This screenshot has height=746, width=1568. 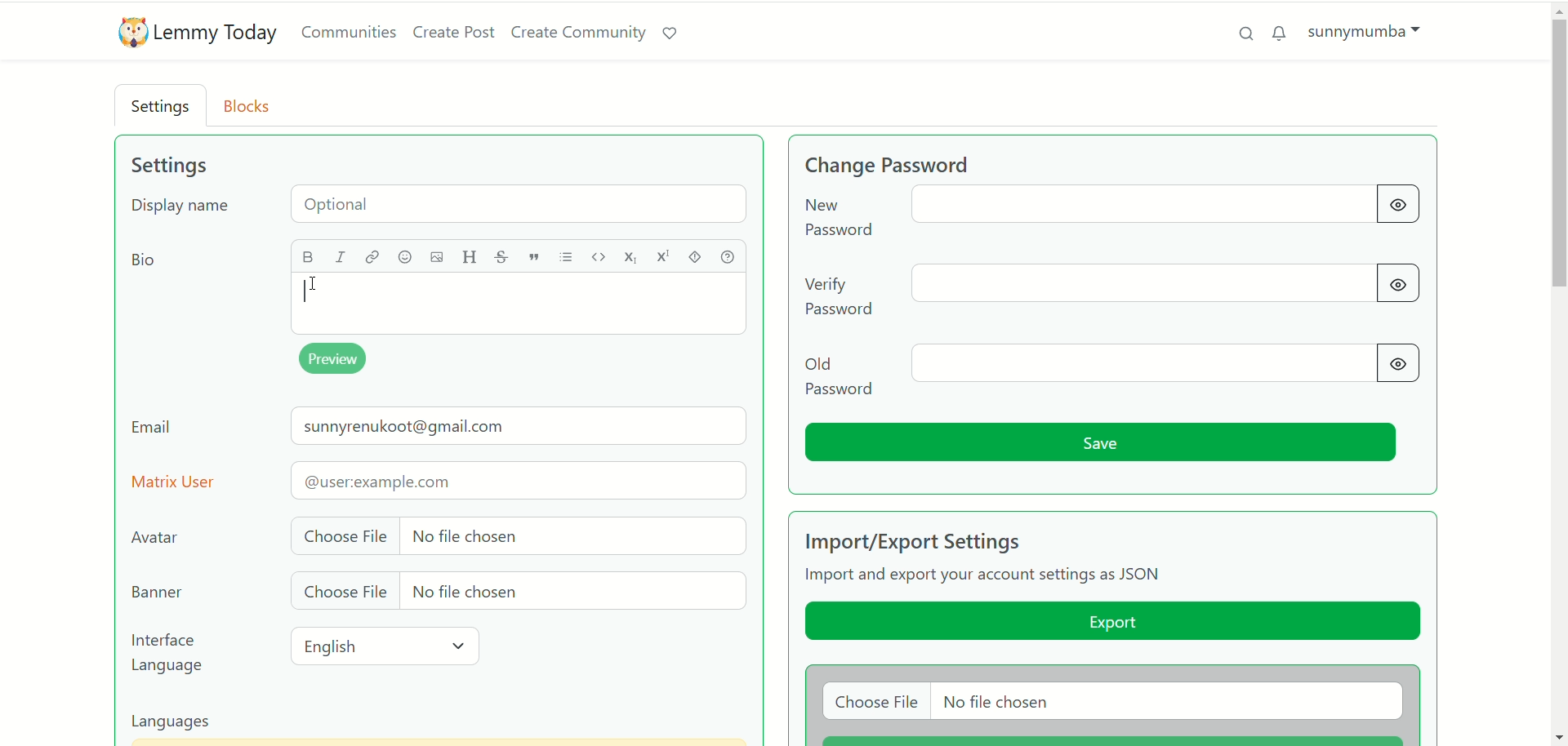 What do you see at coordinates (1558, 373) in the screenshot?
I see `vertical scroll bar` at bounding box center [1558, 373].